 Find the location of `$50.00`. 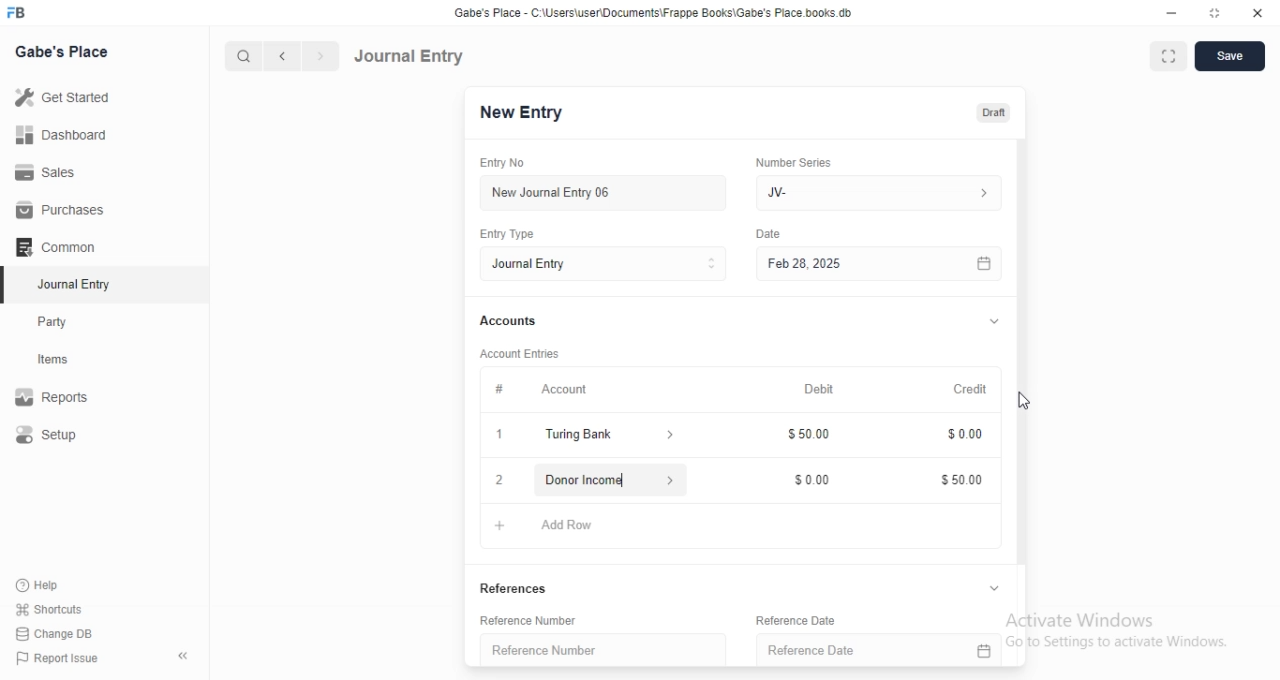

$50.00 is located at coordinates (816, 432).